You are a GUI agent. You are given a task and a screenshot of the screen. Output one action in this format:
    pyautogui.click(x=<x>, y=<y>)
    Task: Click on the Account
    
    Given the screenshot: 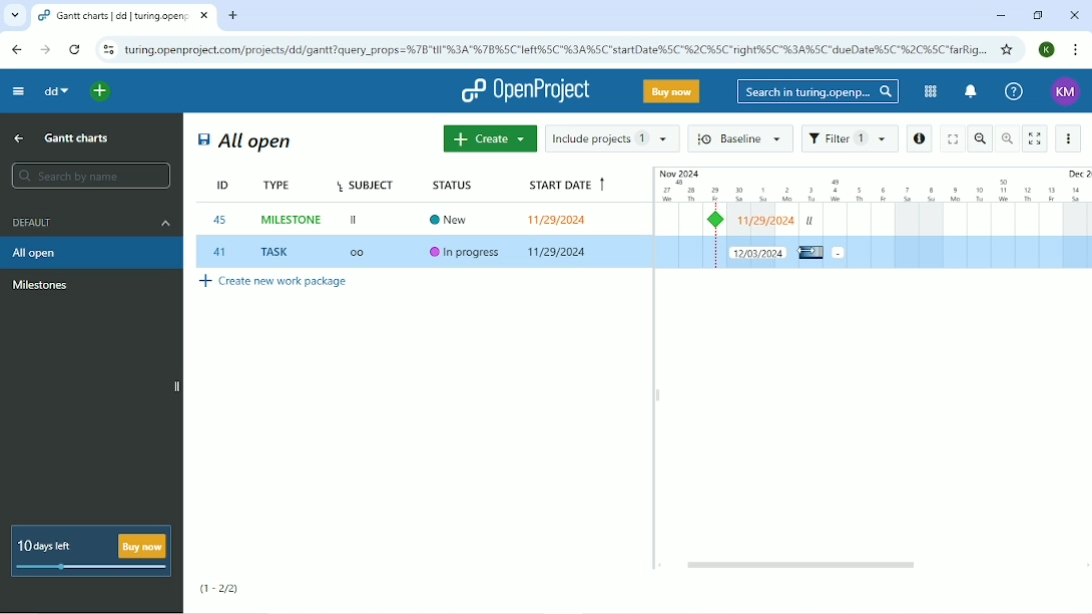 What is the action you would take?
    pyautogui.click(x=1067, y=93)
    